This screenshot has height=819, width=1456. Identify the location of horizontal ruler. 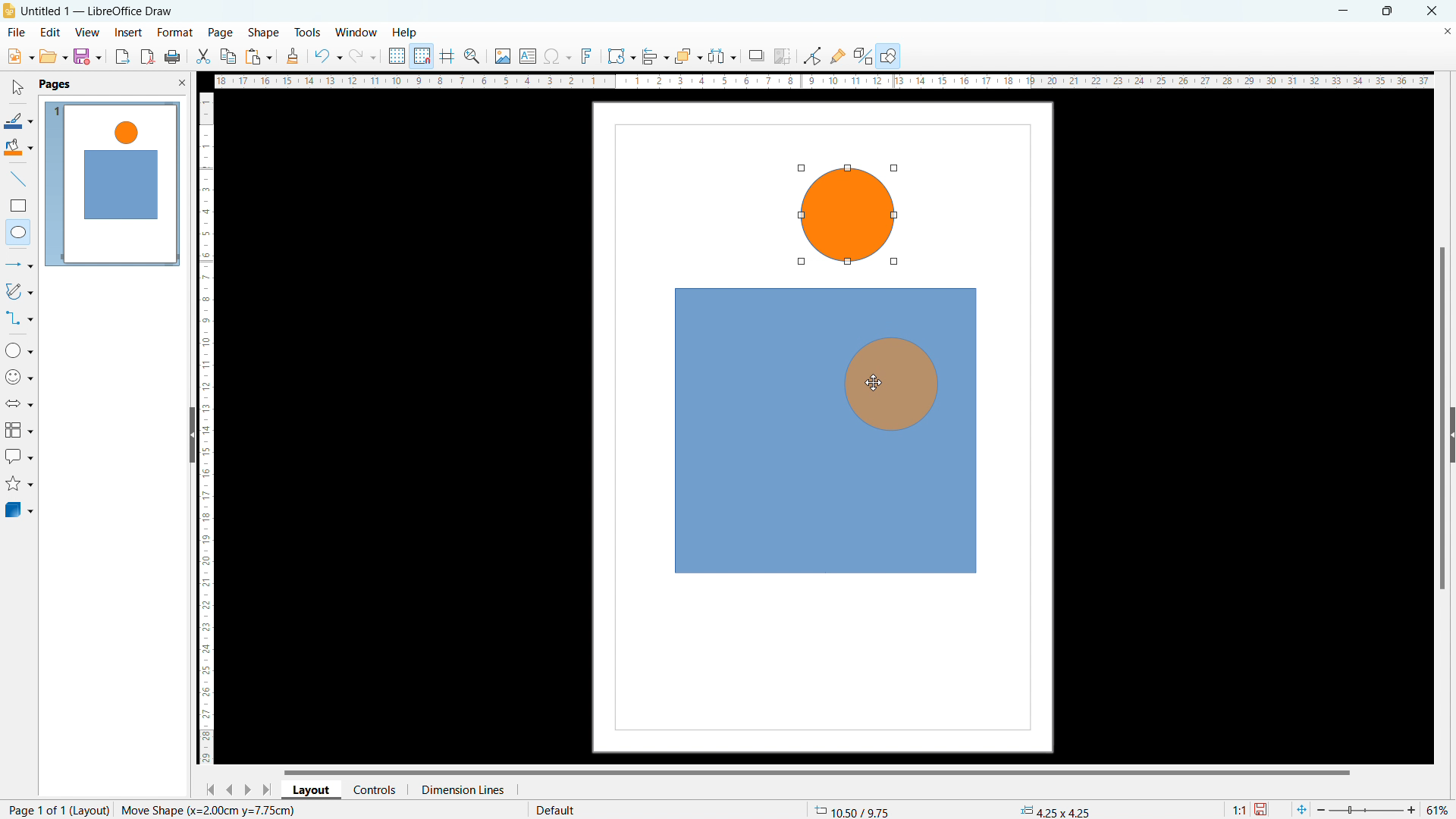
(824, 80).